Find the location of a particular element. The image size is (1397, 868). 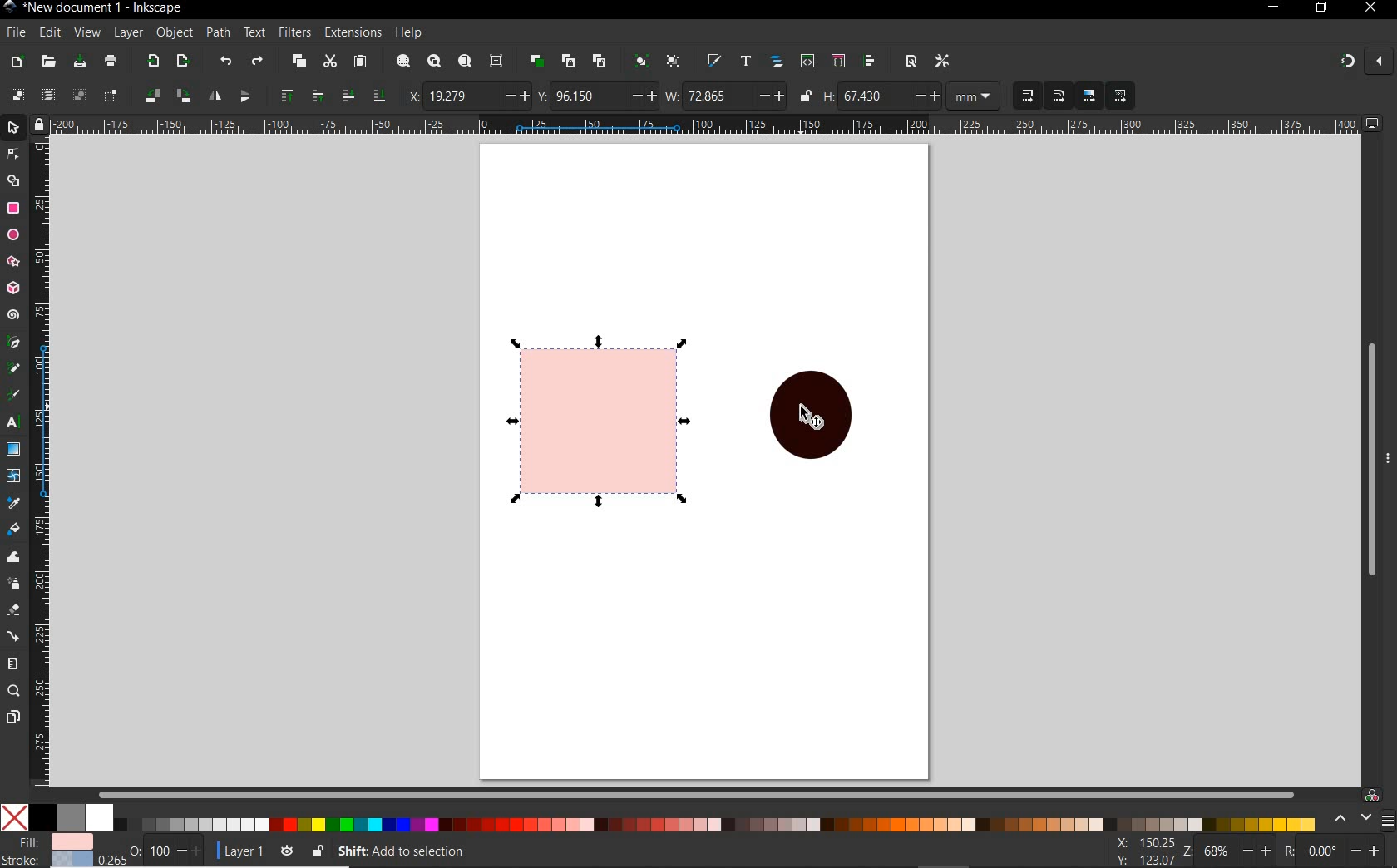

export is located at coordinates (153, 60).